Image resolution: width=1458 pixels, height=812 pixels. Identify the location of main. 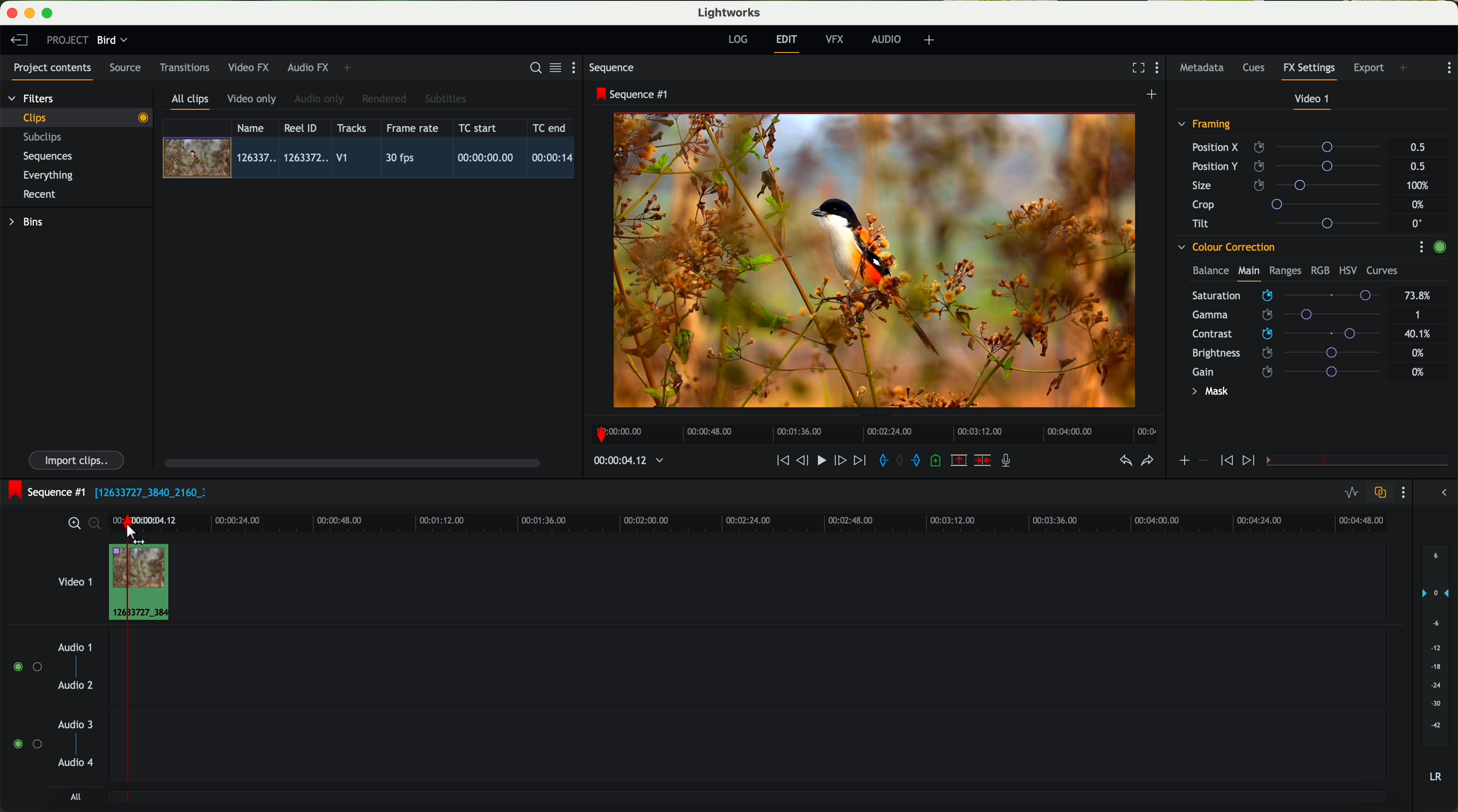
(1249, 273).